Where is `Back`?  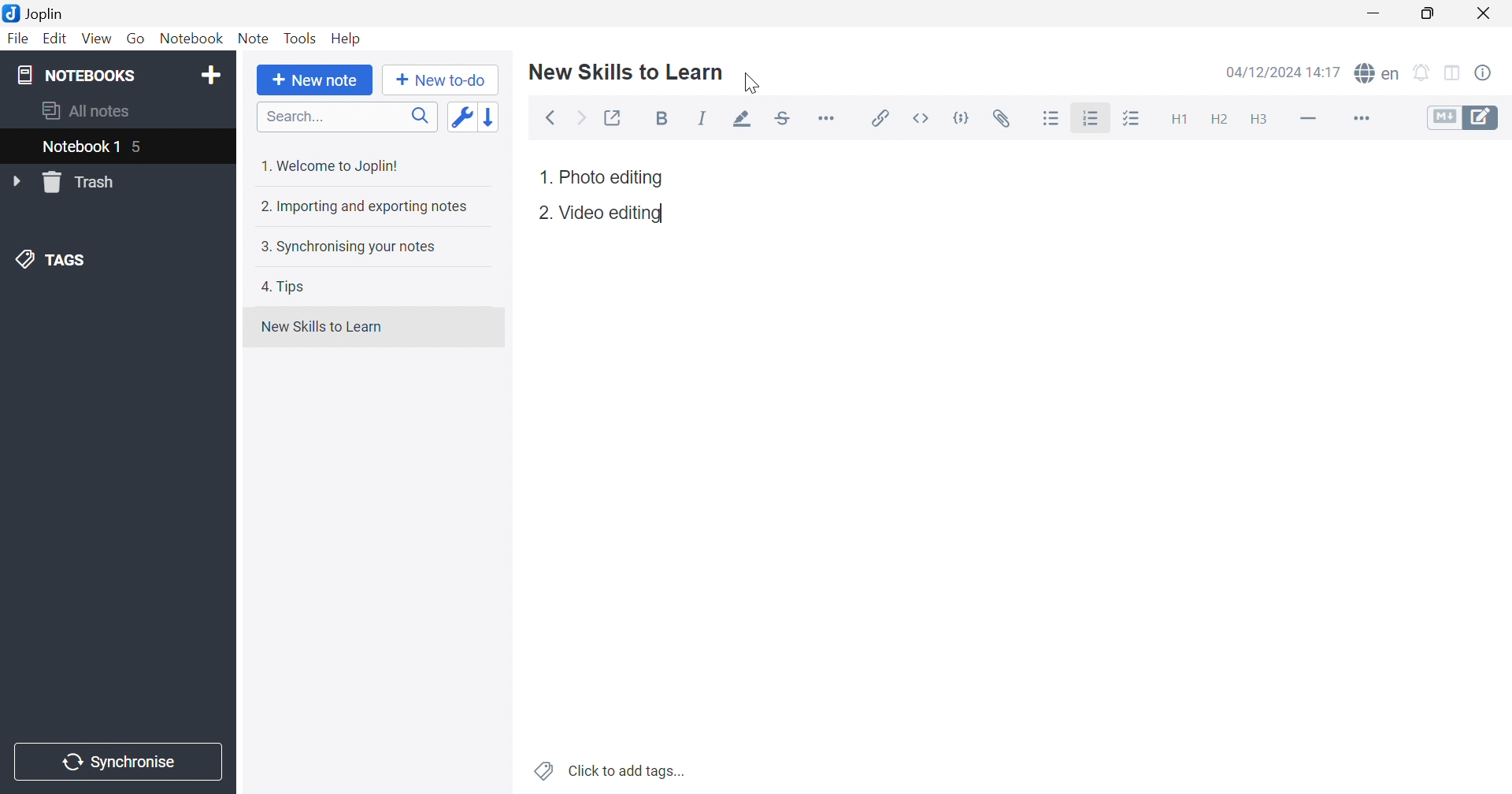
Back is located at coordinates (550, 119).